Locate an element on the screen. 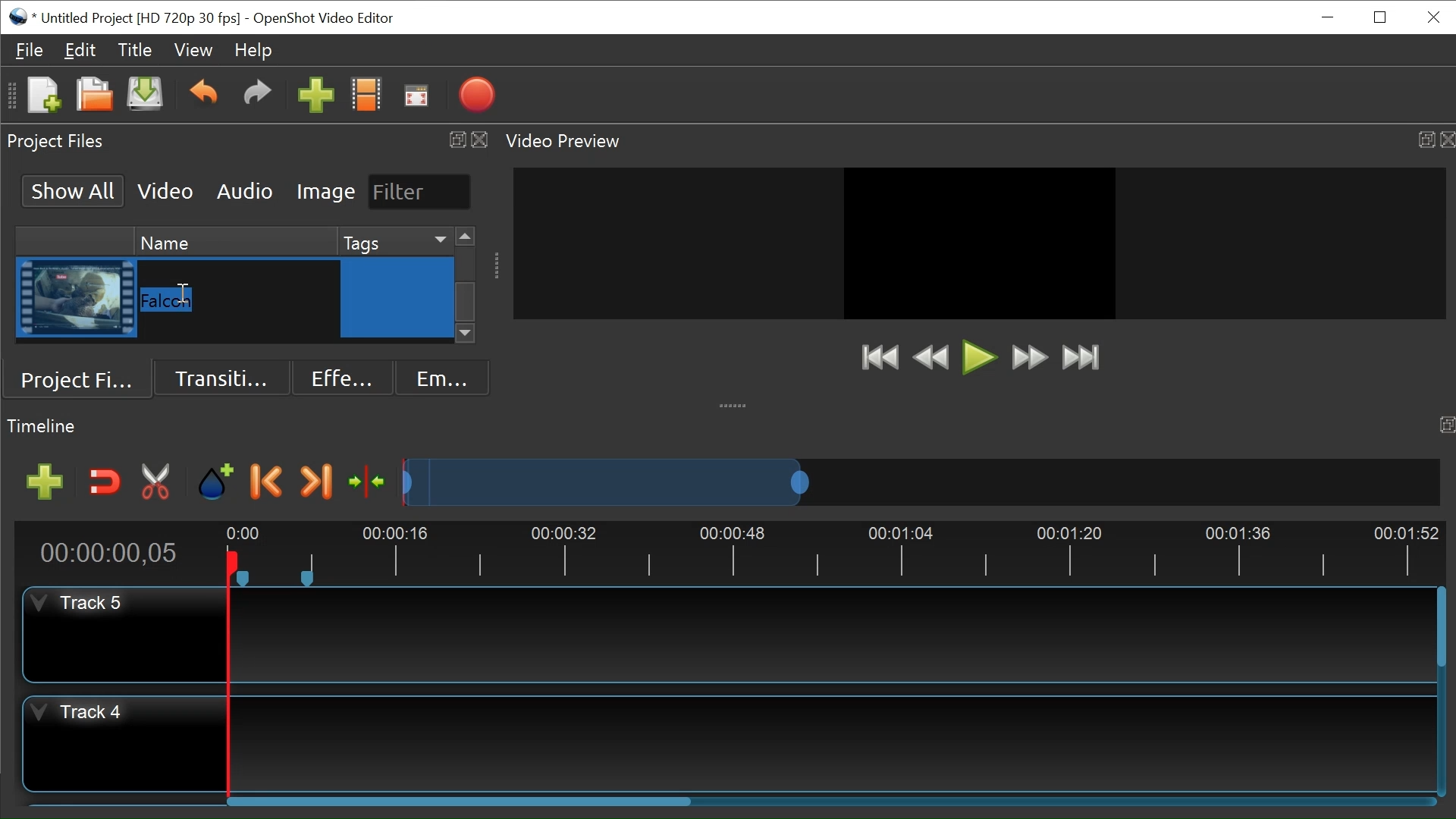 Image resolution: width=1456 pixels, height=819 pixels. Razor is located at coordinates (157, 482).